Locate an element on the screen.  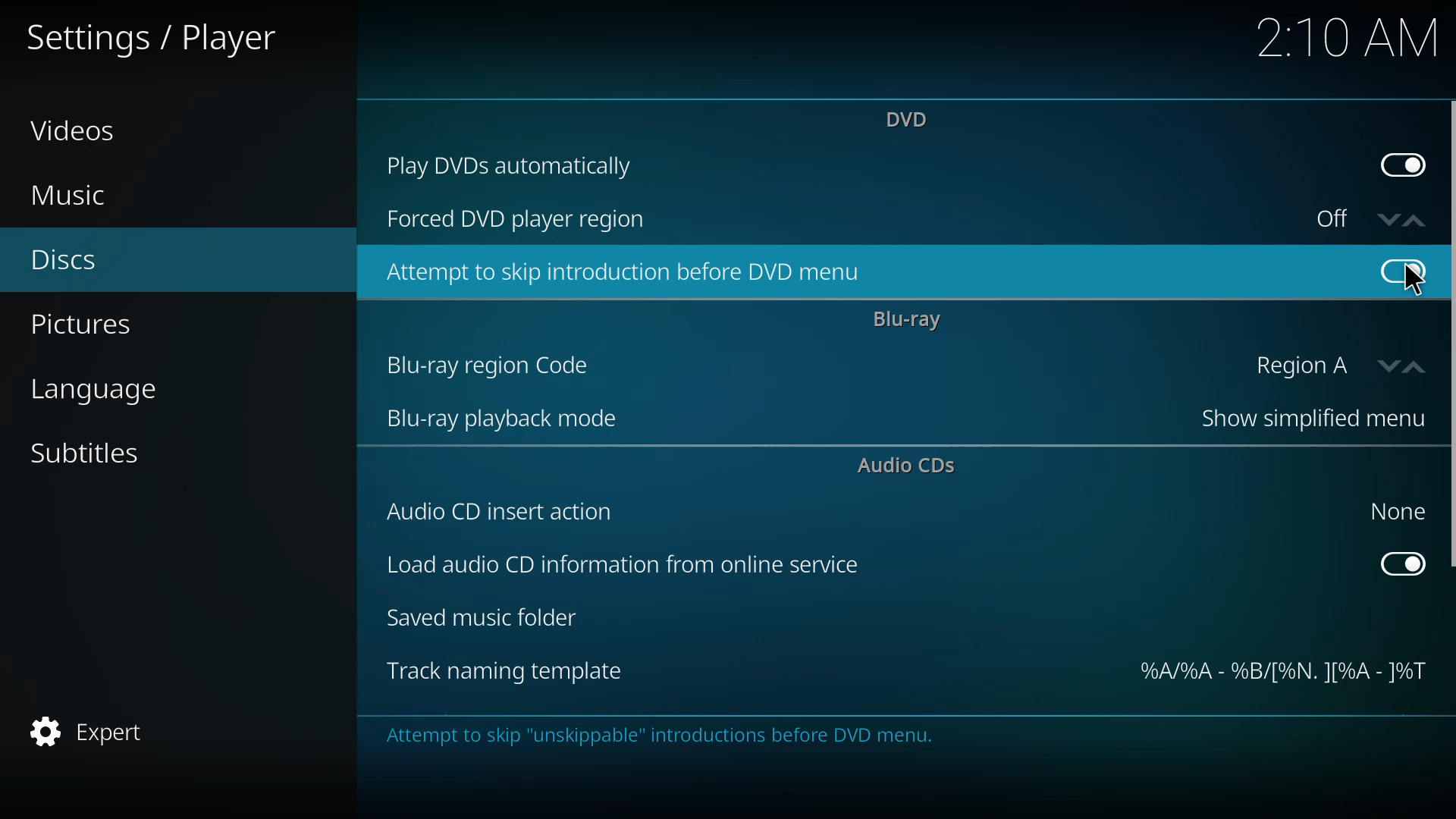
bluray region code is located at coordinates (494, 366).